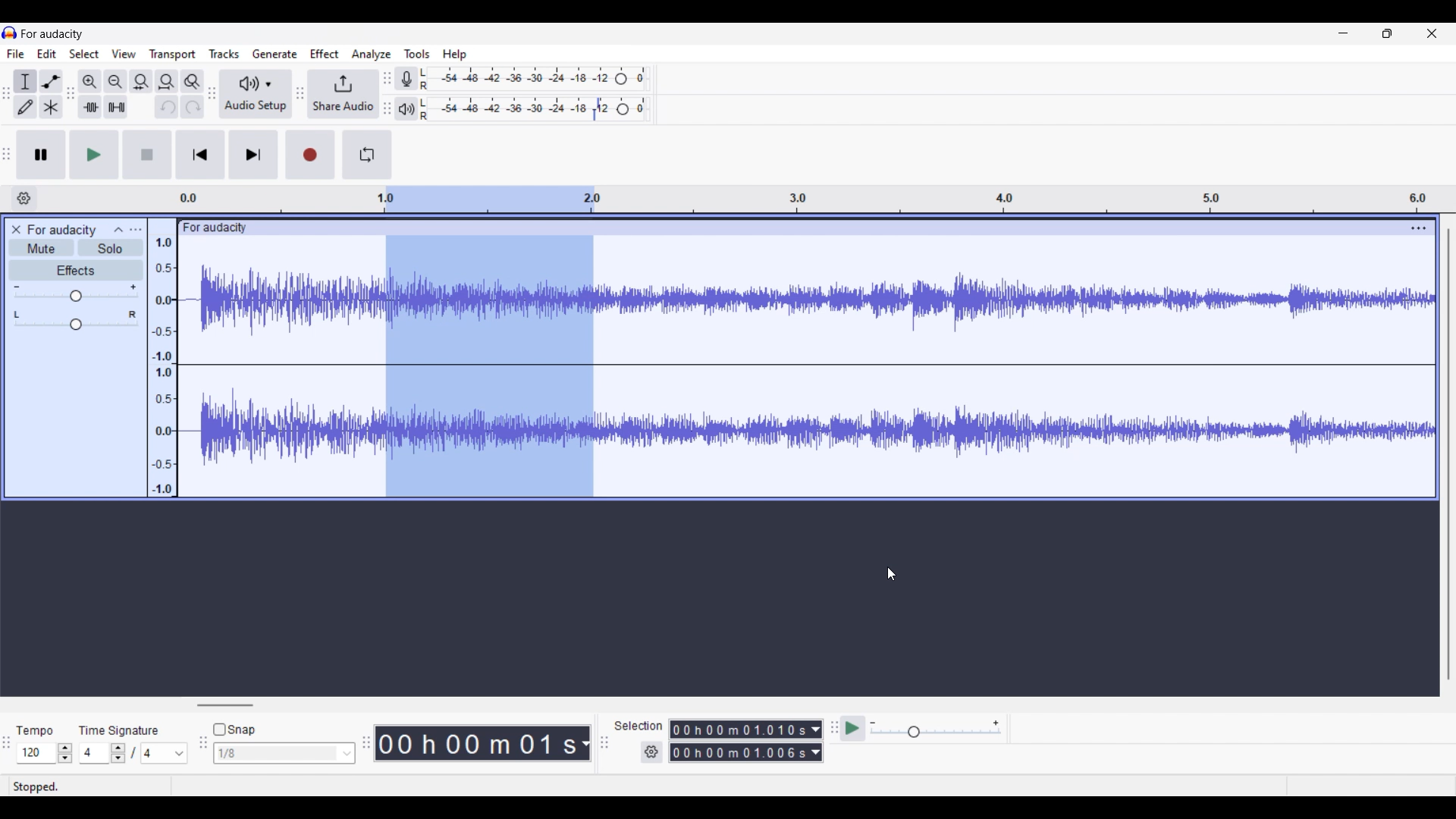 The height and width of the screenshot is (819, 1456). I want to click on selection, so click(638, 725).